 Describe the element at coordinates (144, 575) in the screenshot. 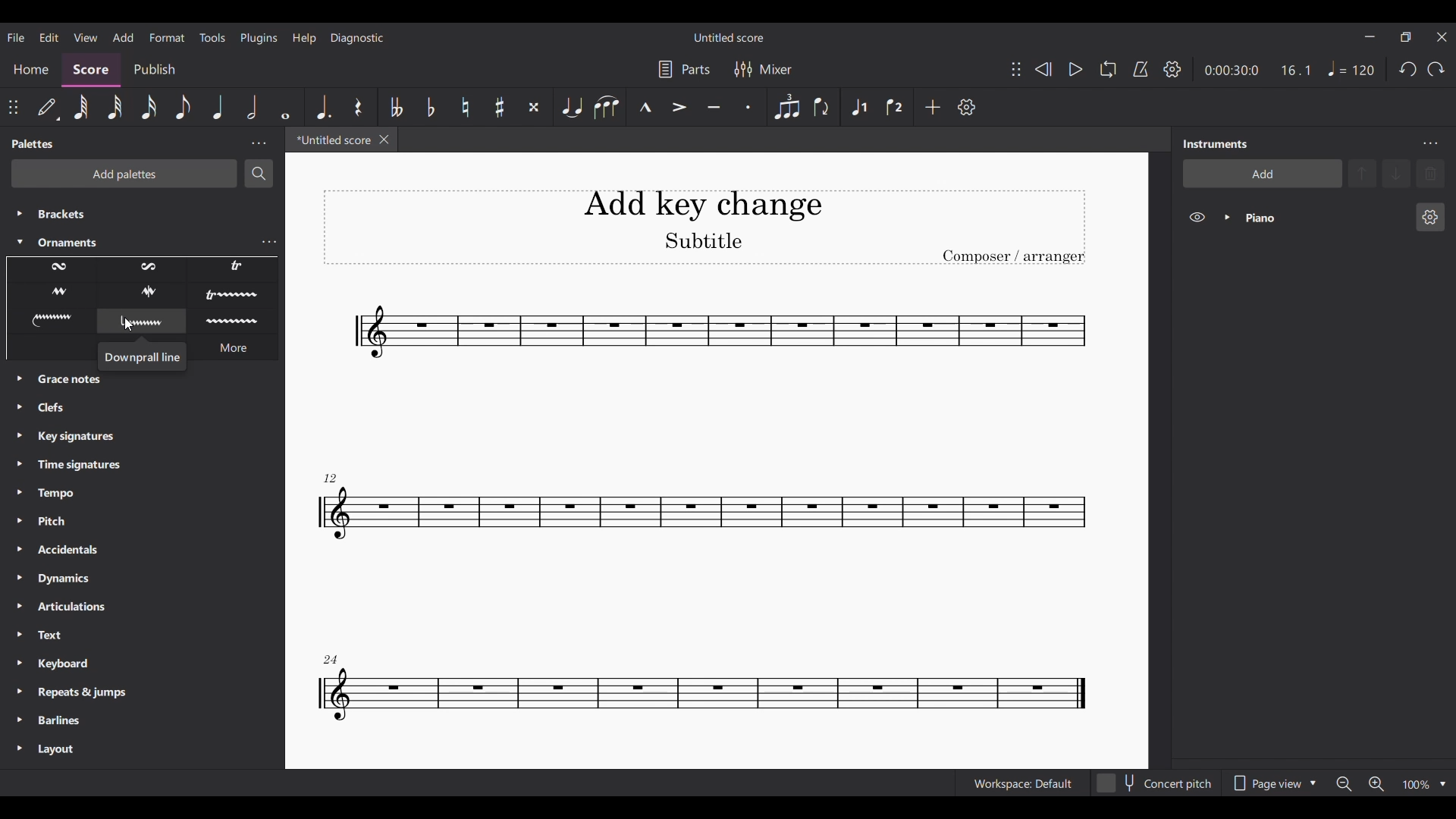

I see `Other palette options` at that location.